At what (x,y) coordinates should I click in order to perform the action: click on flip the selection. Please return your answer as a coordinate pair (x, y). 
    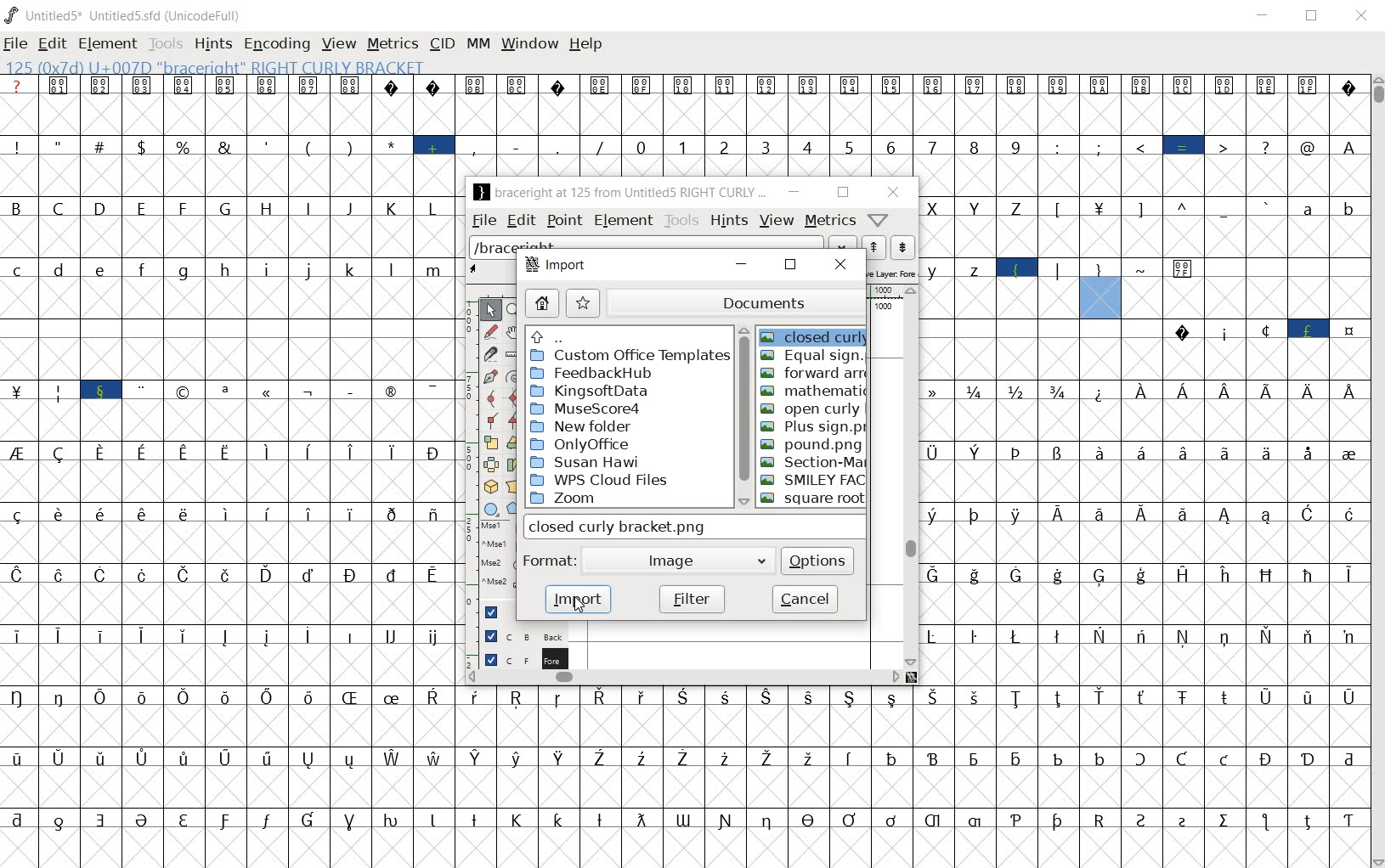
    Looking at the image, I should click on (490, 464).